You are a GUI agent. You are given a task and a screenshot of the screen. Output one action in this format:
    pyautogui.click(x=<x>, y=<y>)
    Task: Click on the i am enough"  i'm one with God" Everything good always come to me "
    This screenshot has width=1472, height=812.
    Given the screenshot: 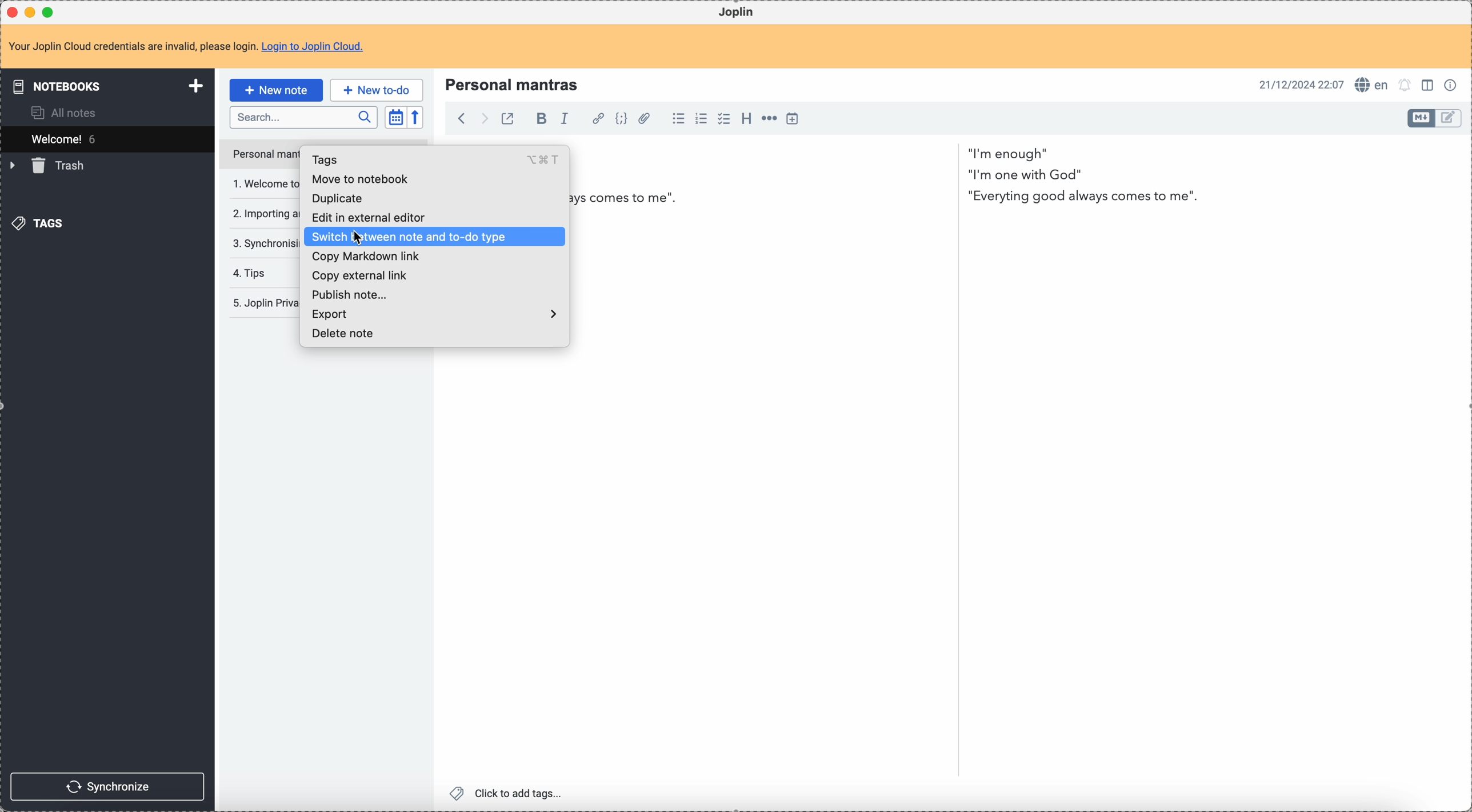 What is the action you would take?
    pyautogui.click(x=893, y=179)
    